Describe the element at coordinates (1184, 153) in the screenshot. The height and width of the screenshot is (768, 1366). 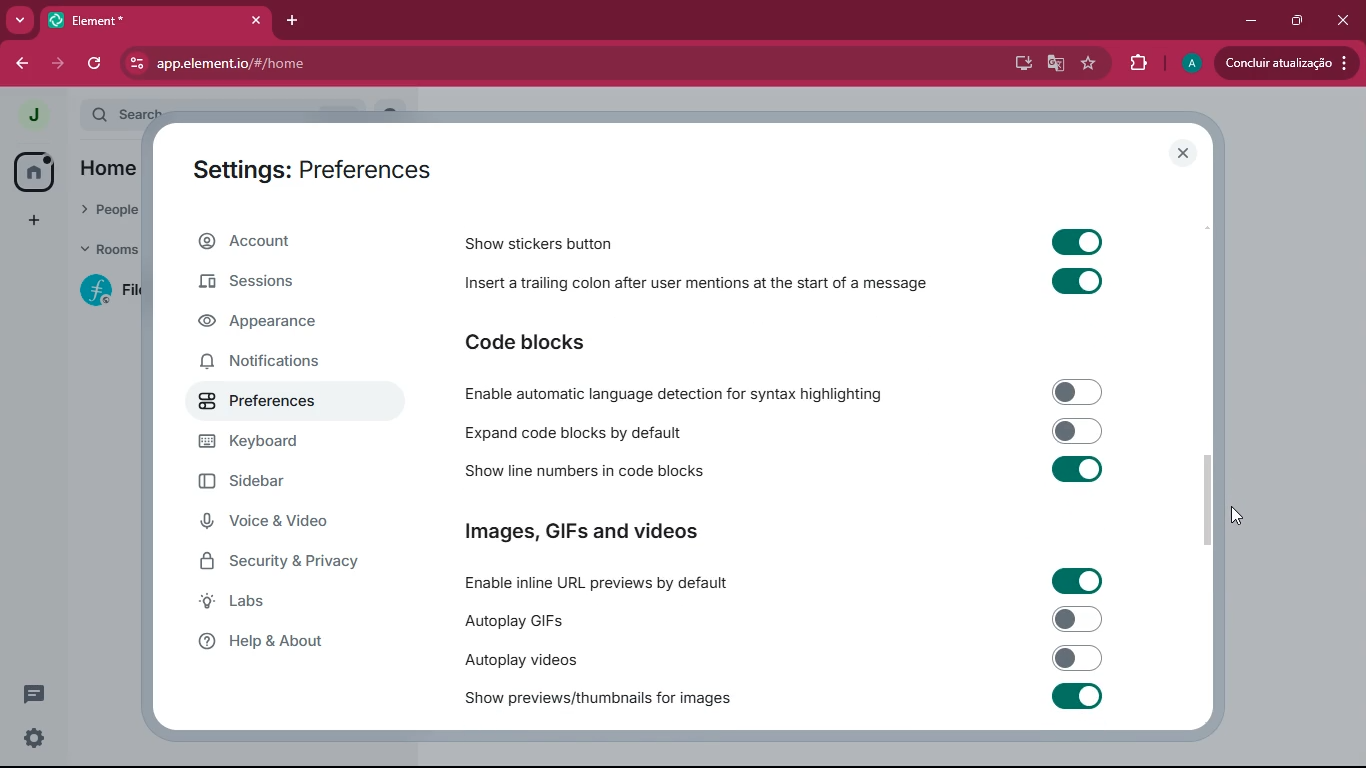
I see `close` at that location.